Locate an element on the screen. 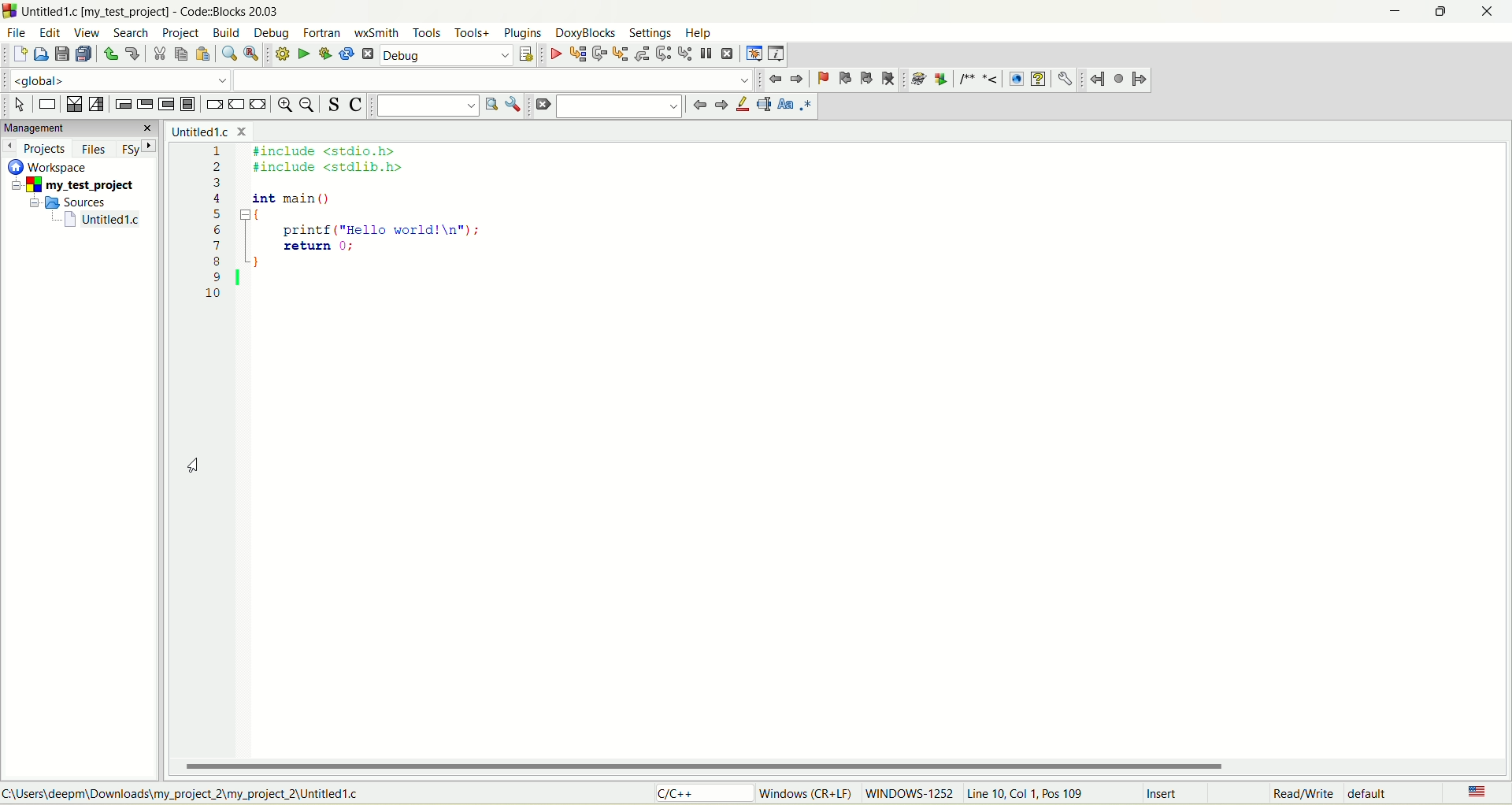  undo is located at coordinates (109, 55).